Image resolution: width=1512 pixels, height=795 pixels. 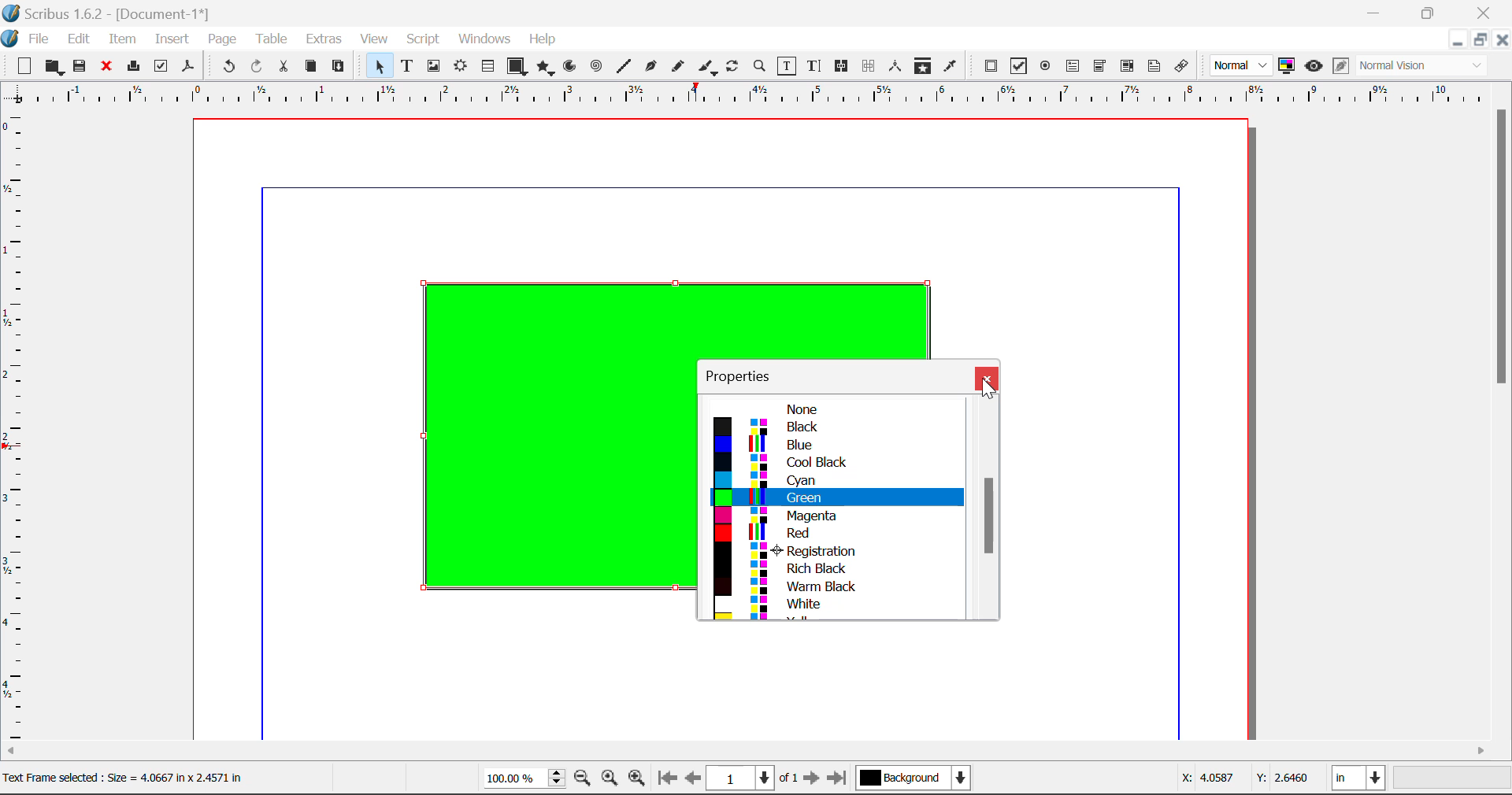 I want to click on None, so click(x=836, y=409).